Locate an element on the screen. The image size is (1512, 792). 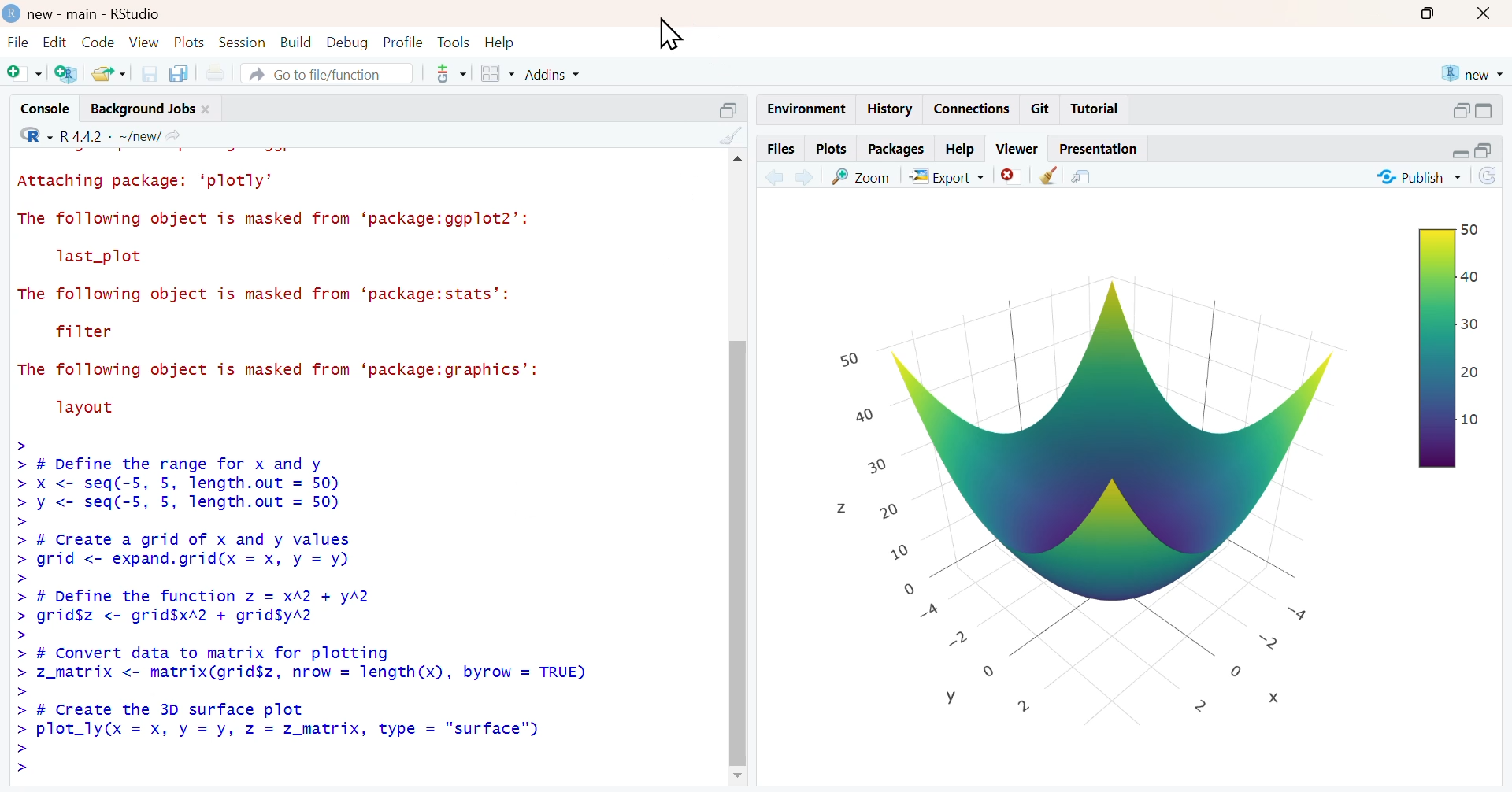
> z_matrix <- matrix(grid$z, nrow = length(x), byrow = TRUE) is located at coordinates (302, 675).